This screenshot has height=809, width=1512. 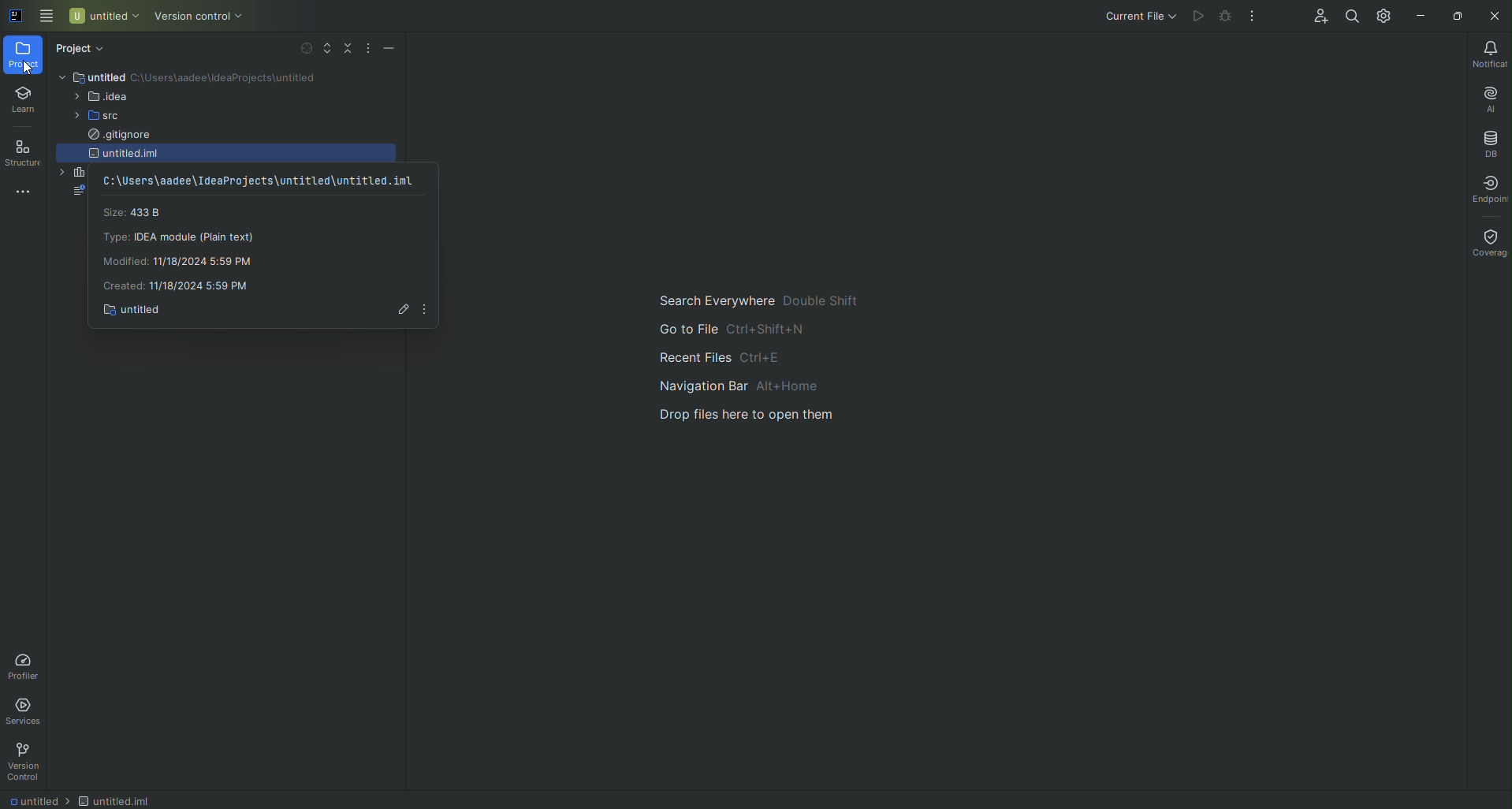 I want to click on More Actions, so click(x=367, y=47).